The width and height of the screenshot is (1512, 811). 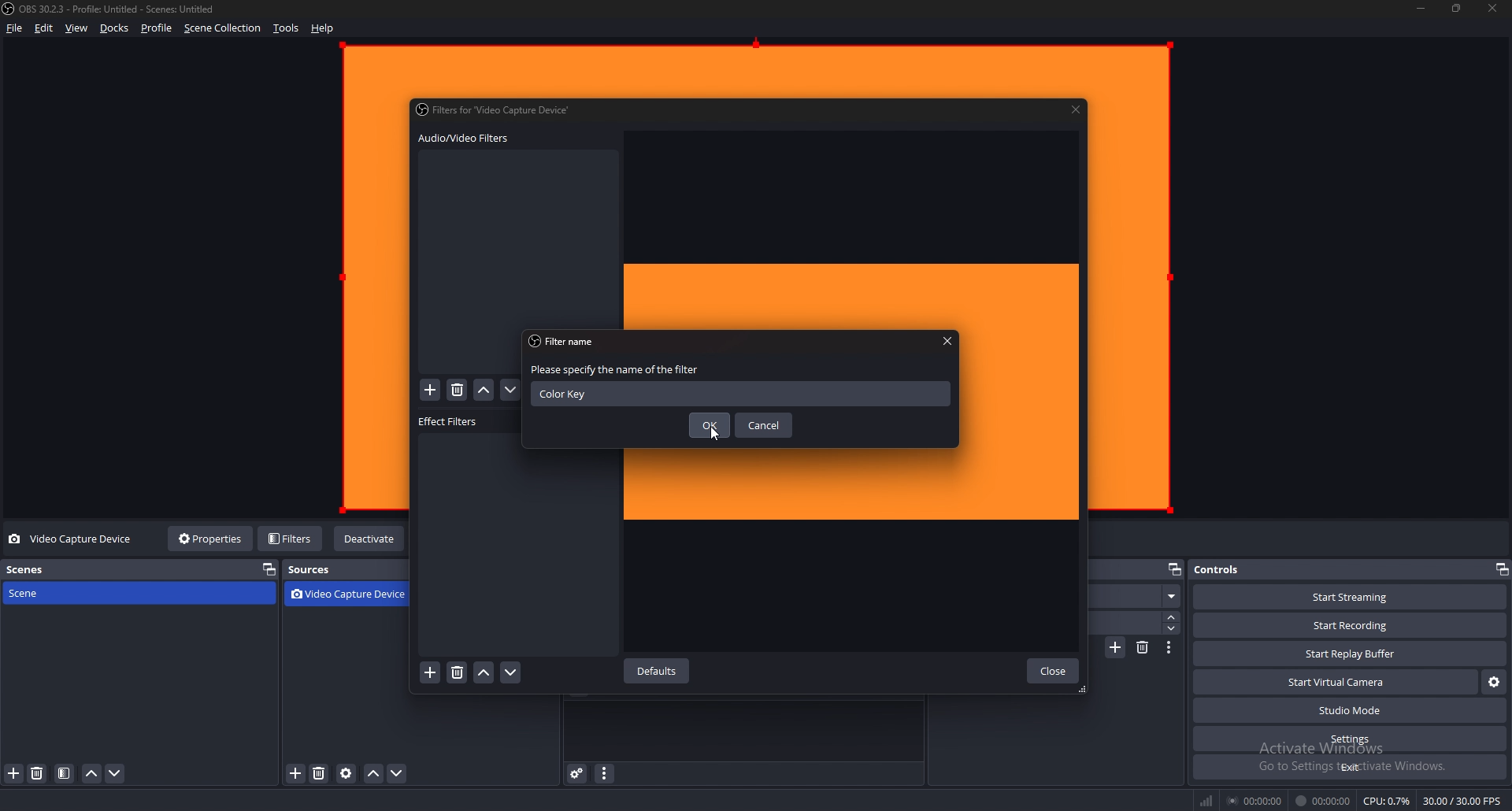 What do you see at coordinates (458, 391) in the screenshot?
I see `delete` at bounding box center [458, 391].